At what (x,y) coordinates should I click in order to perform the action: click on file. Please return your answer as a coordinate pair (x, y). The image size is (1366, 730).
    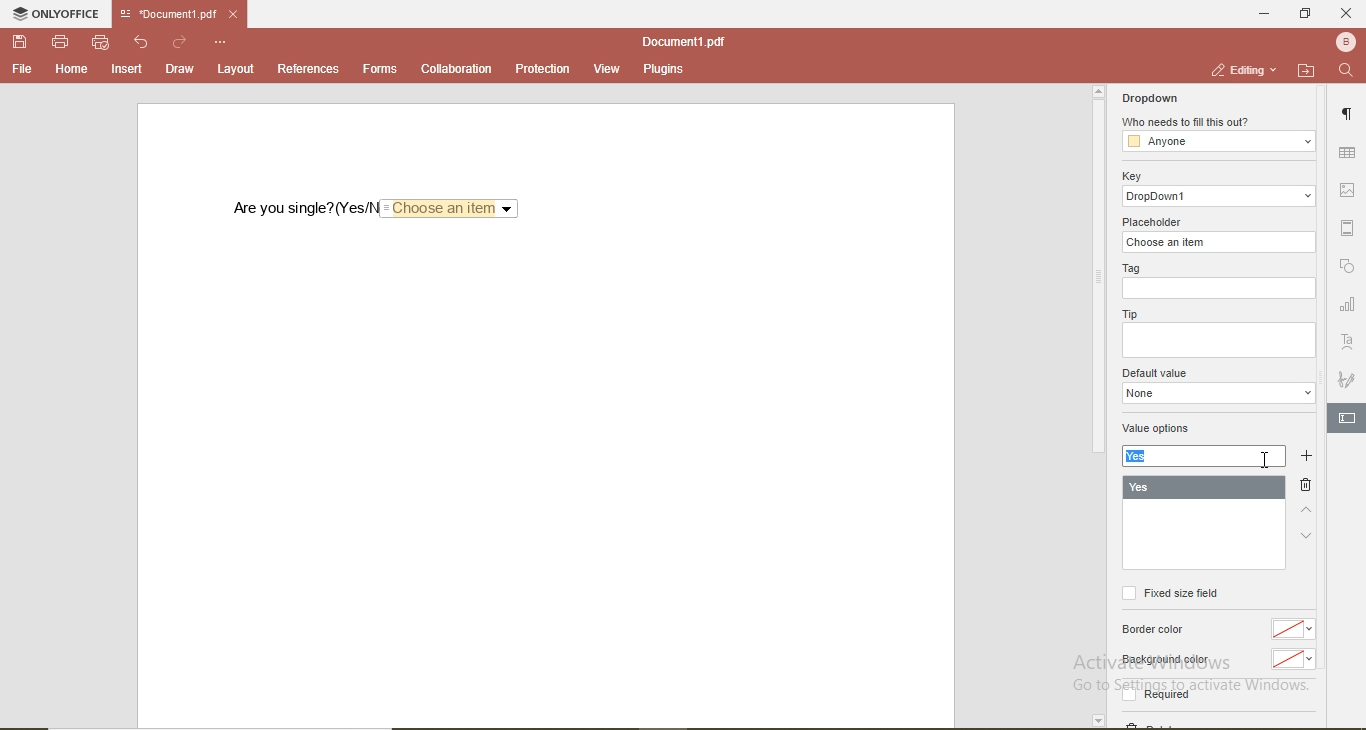
    Looking at the image, I should click on (23, 70).